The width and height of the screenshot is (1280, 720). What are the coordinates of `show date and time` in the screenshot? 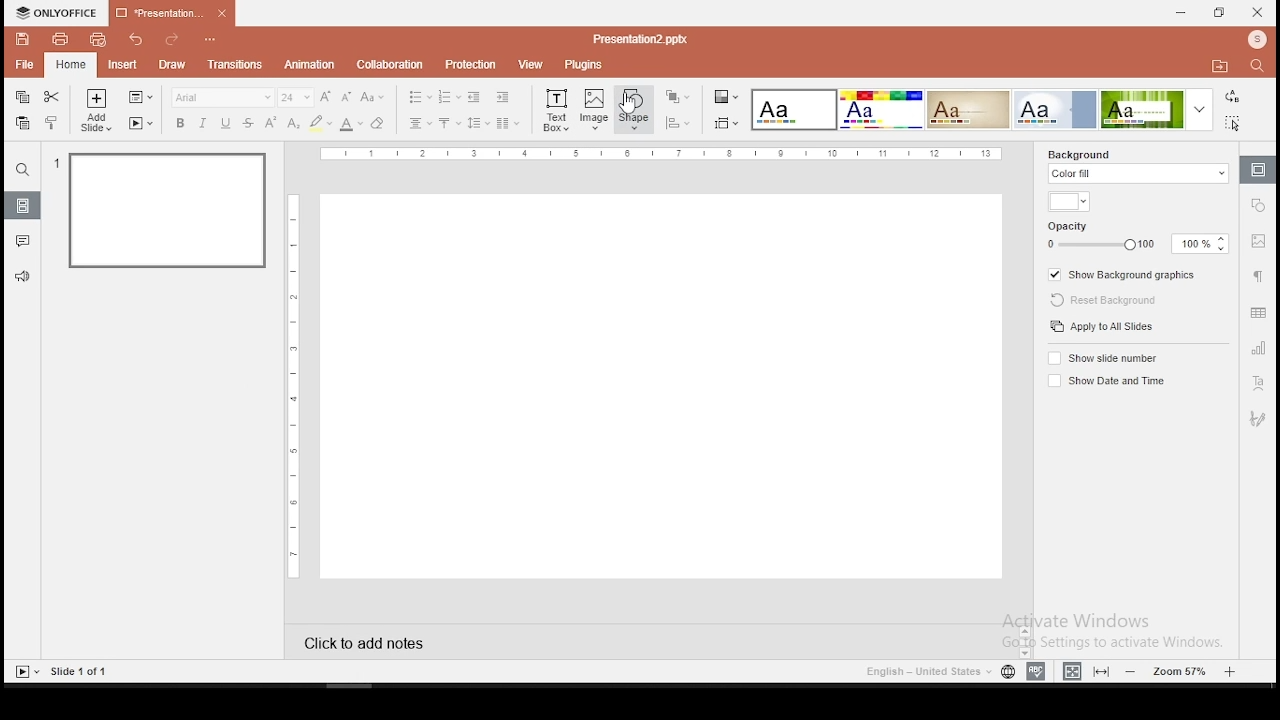 It's located at (1104, 381).